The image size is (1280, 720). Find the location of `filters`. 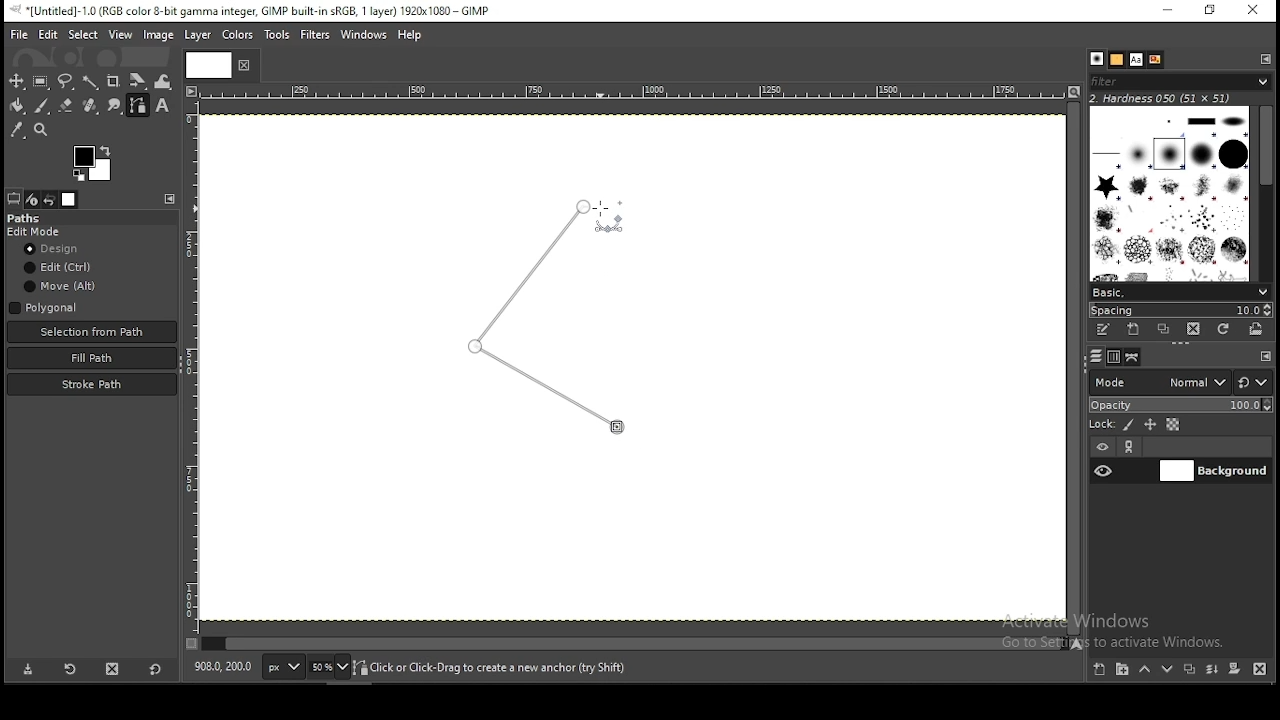

filters is located at coordinates (314, 34).